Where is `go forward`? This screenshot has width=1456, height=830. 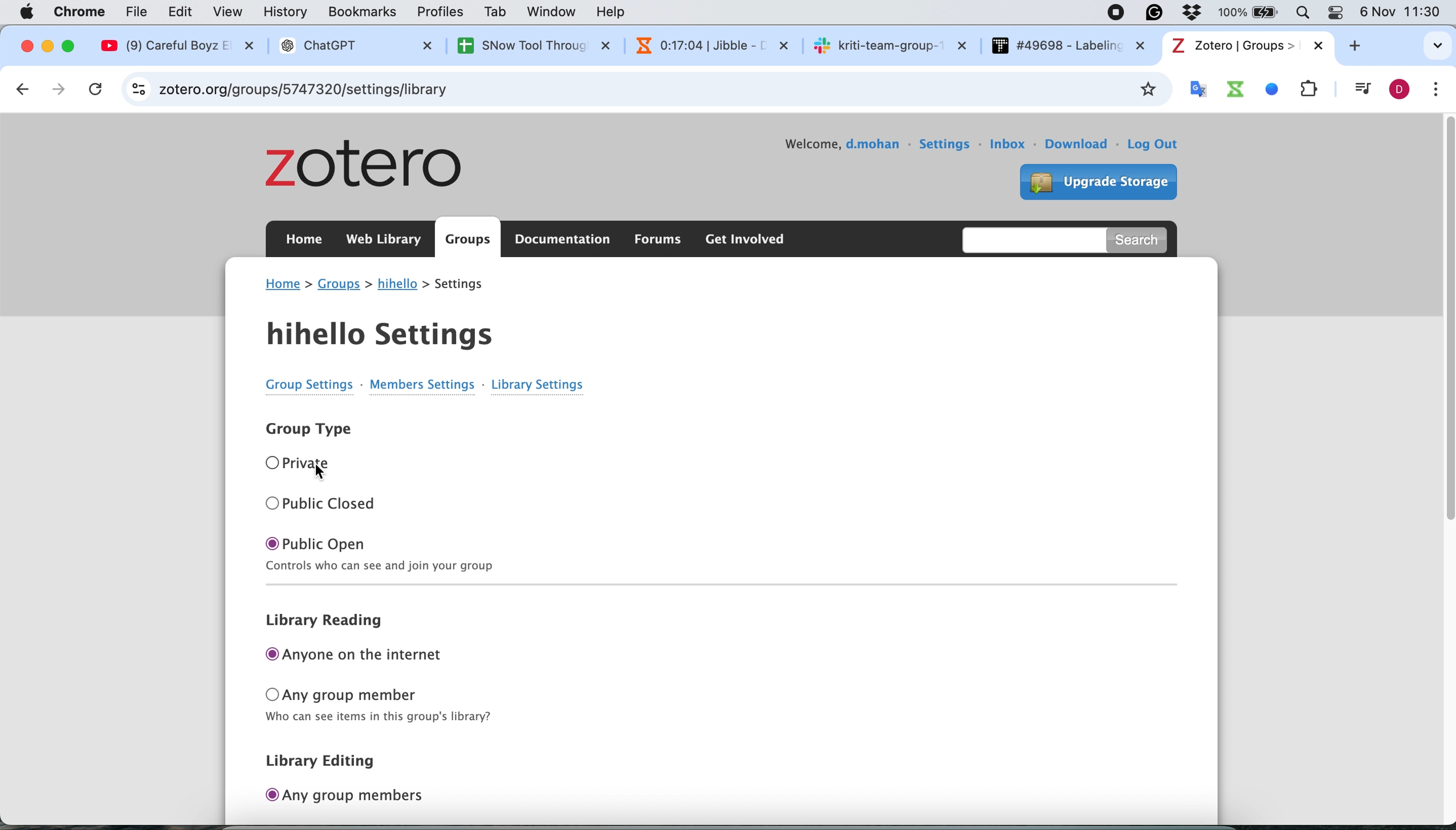 go forward is located at coordinates (61, 89).